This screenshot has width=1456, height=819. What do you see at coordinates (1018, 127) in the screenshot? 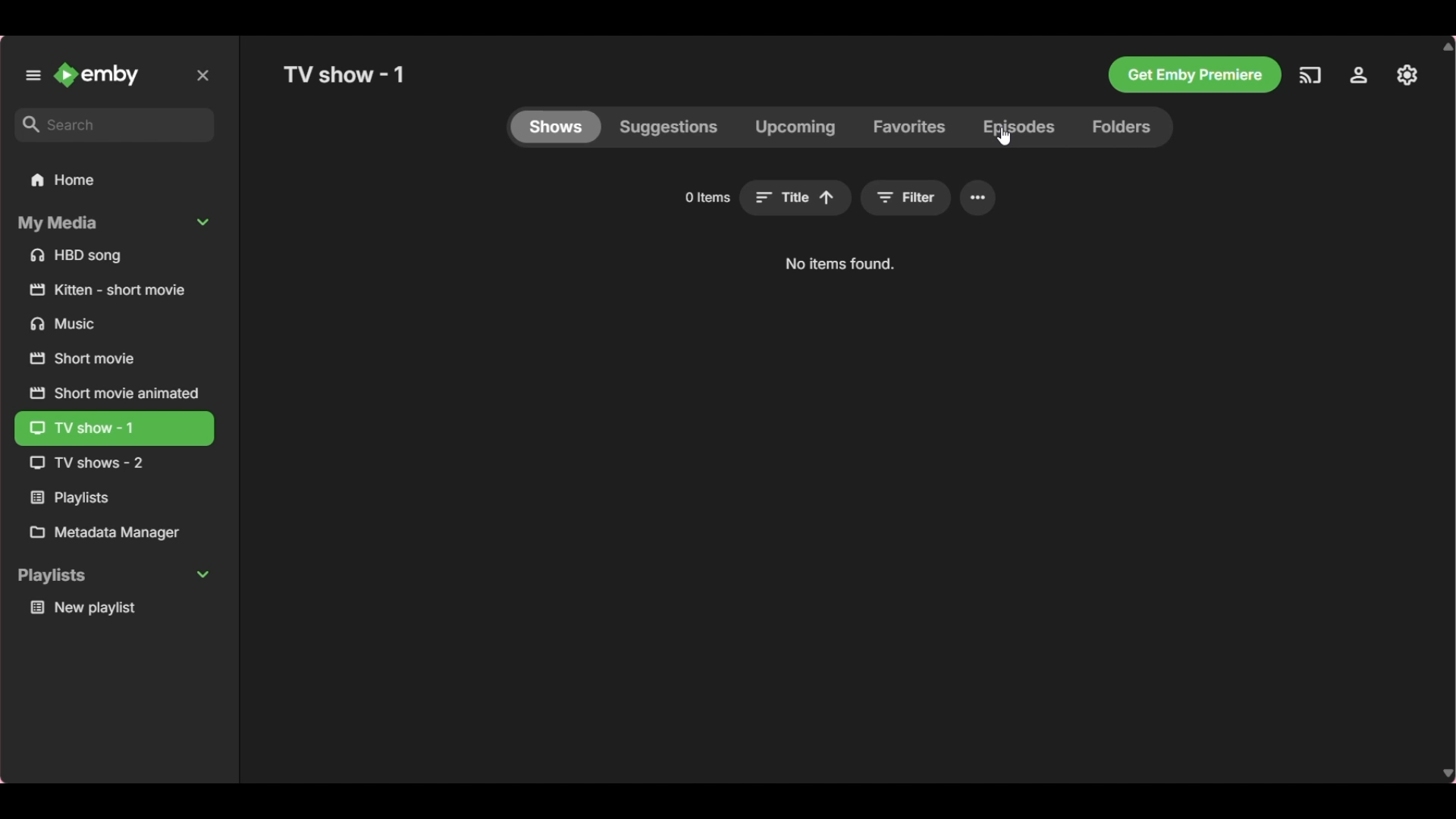
I see `Episodes` at bounding box center [1018, 127].